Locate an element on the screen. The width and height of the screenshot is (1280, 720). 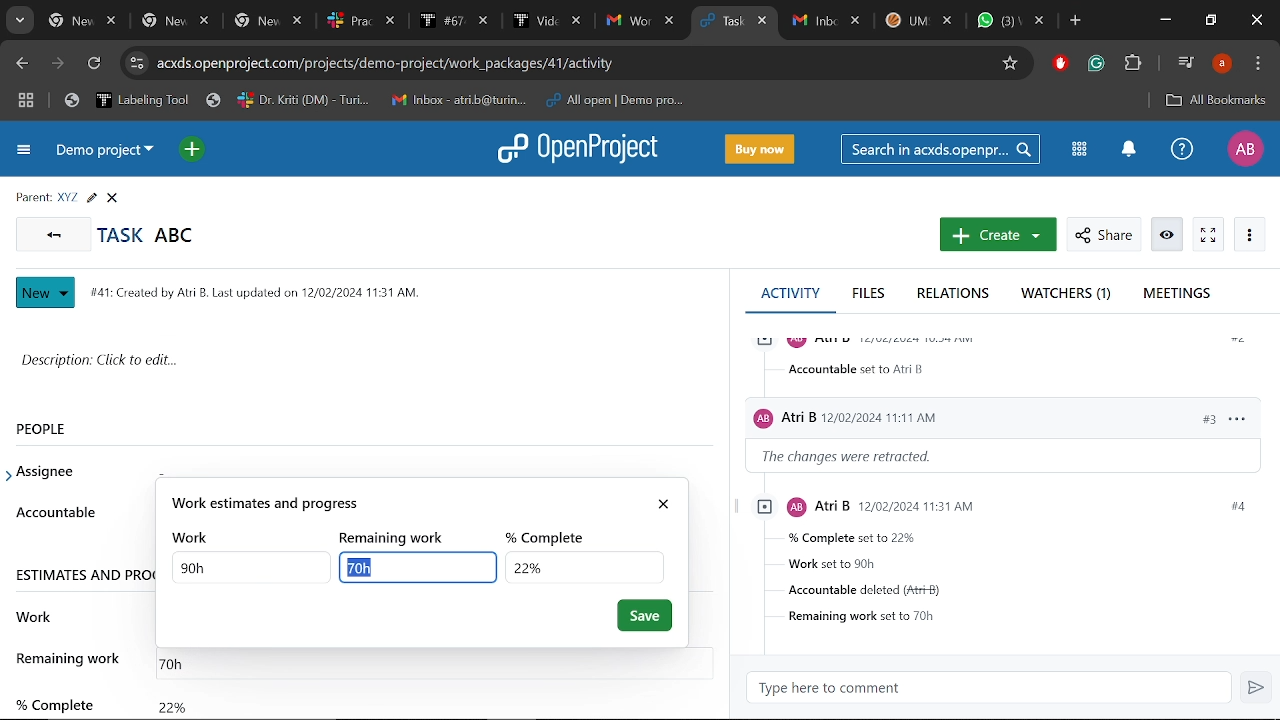
options is located at coordinates (1236, 417).